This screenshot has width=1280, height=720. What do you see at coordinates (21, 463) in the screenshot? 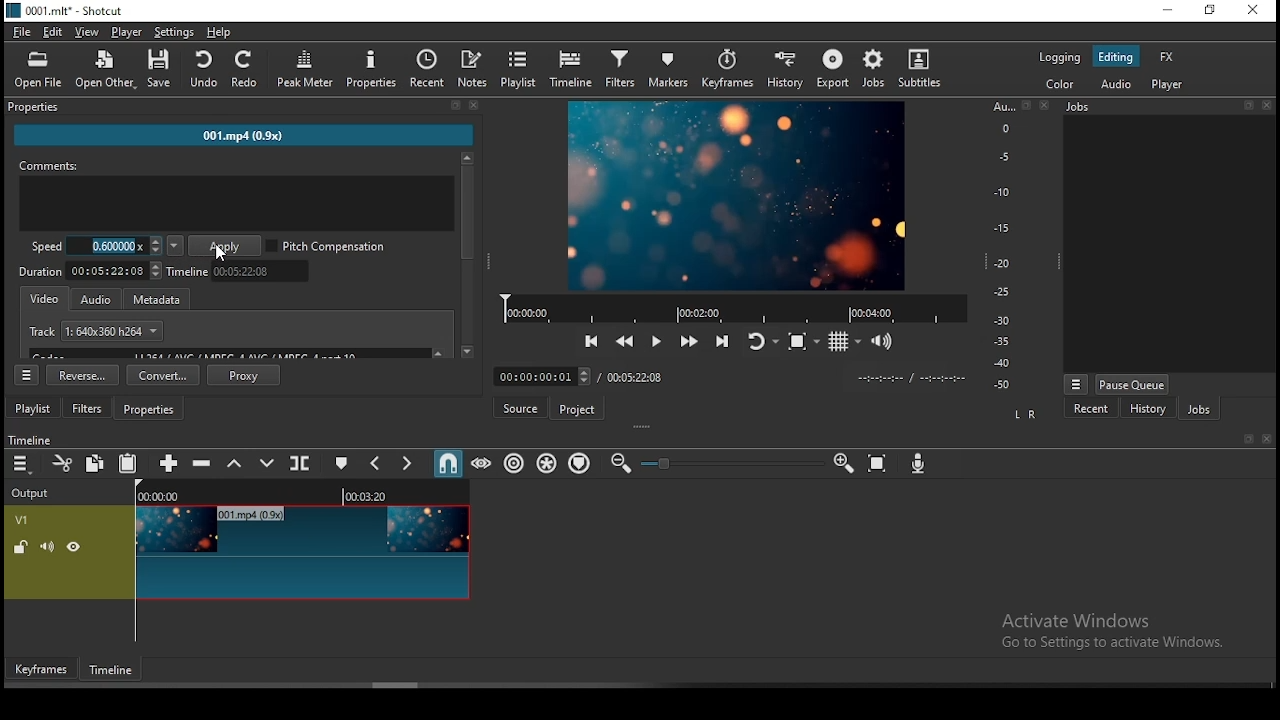
I see `timeline menu` at bounding box center [21, 463].